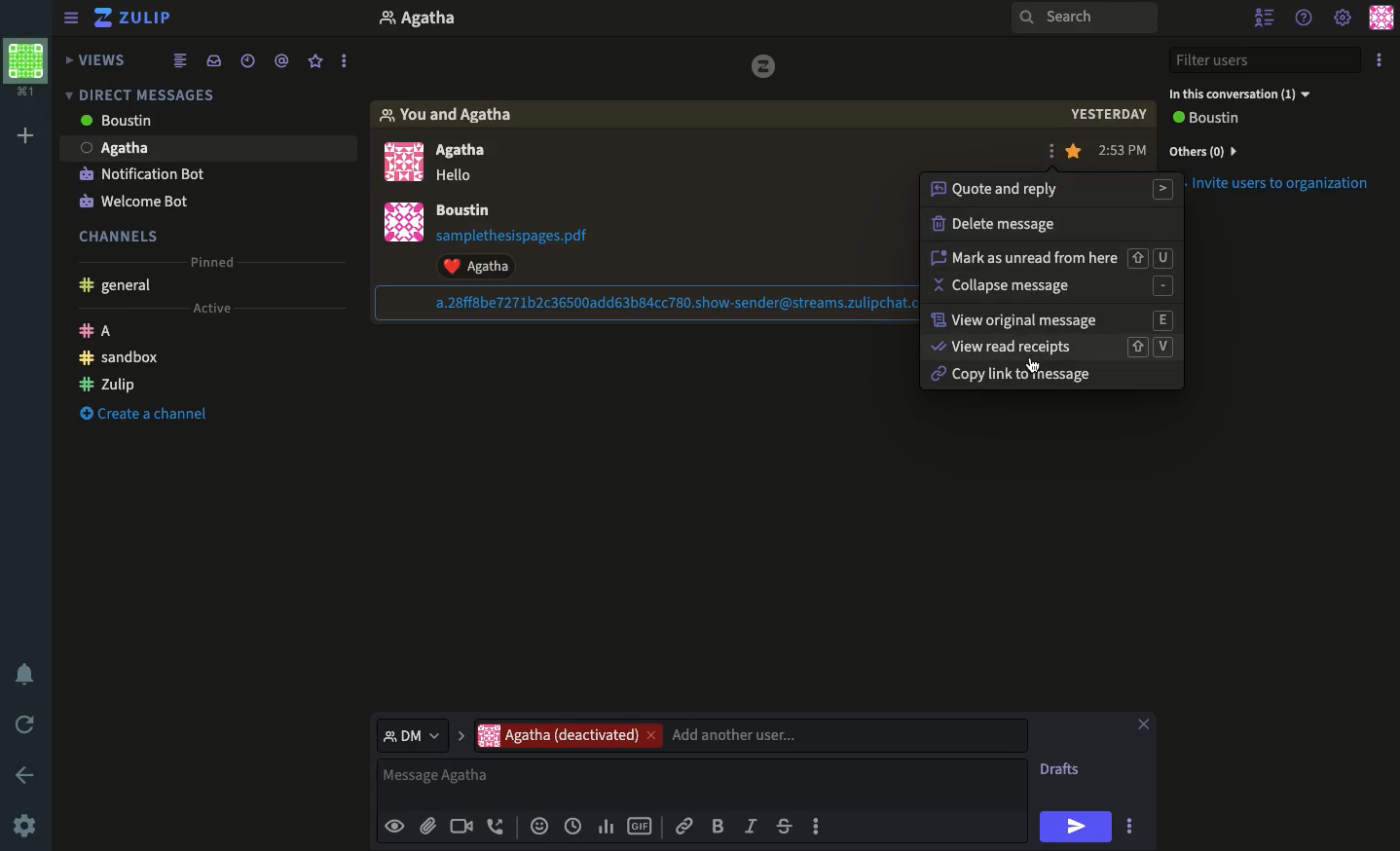  What do you see at coordinates (1085, 18) in the screenshot?
I see `Search` at bounding box center [1085, 18].